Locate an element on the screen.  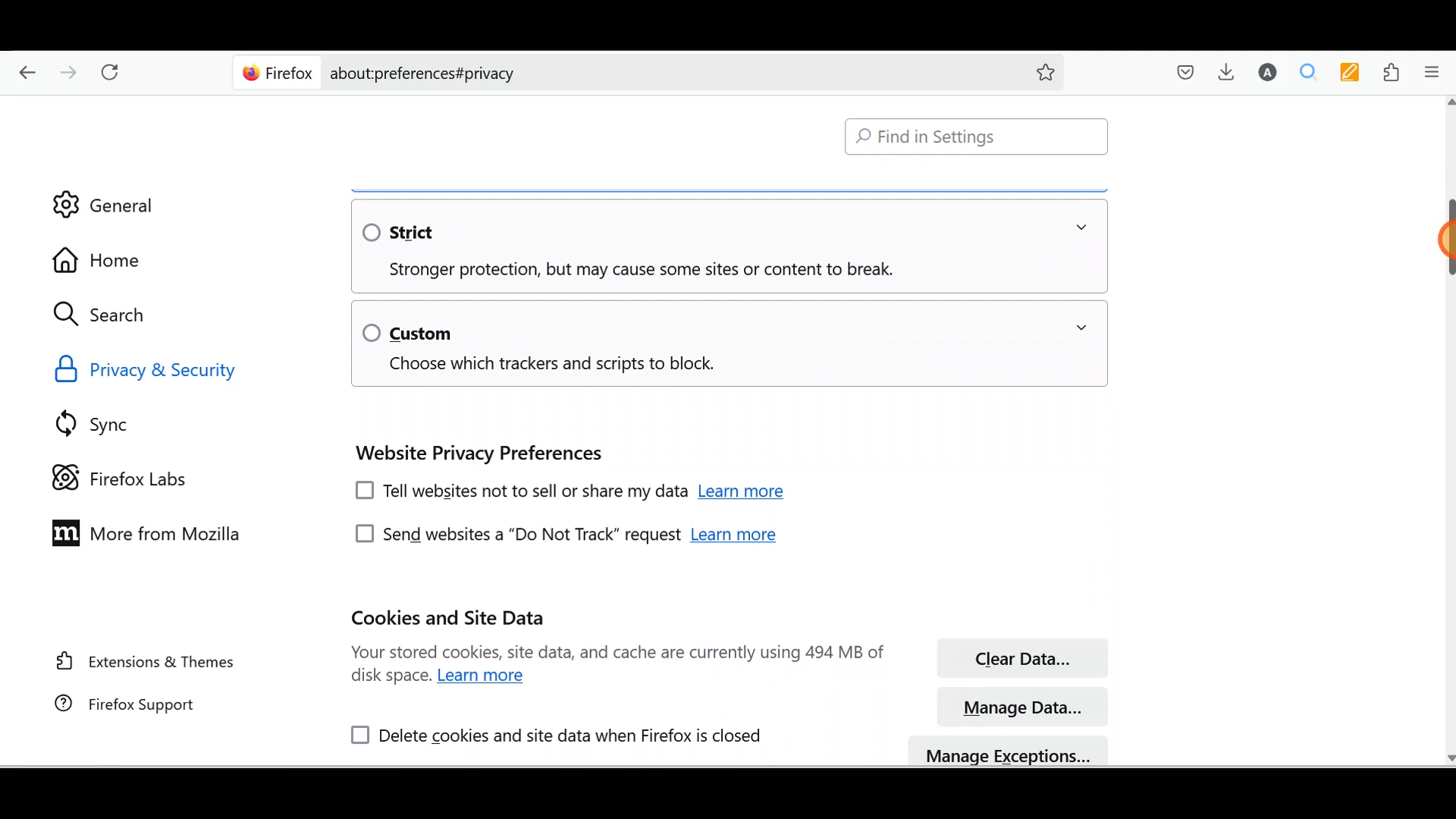
Learn more is located at coordinates (745, 494).